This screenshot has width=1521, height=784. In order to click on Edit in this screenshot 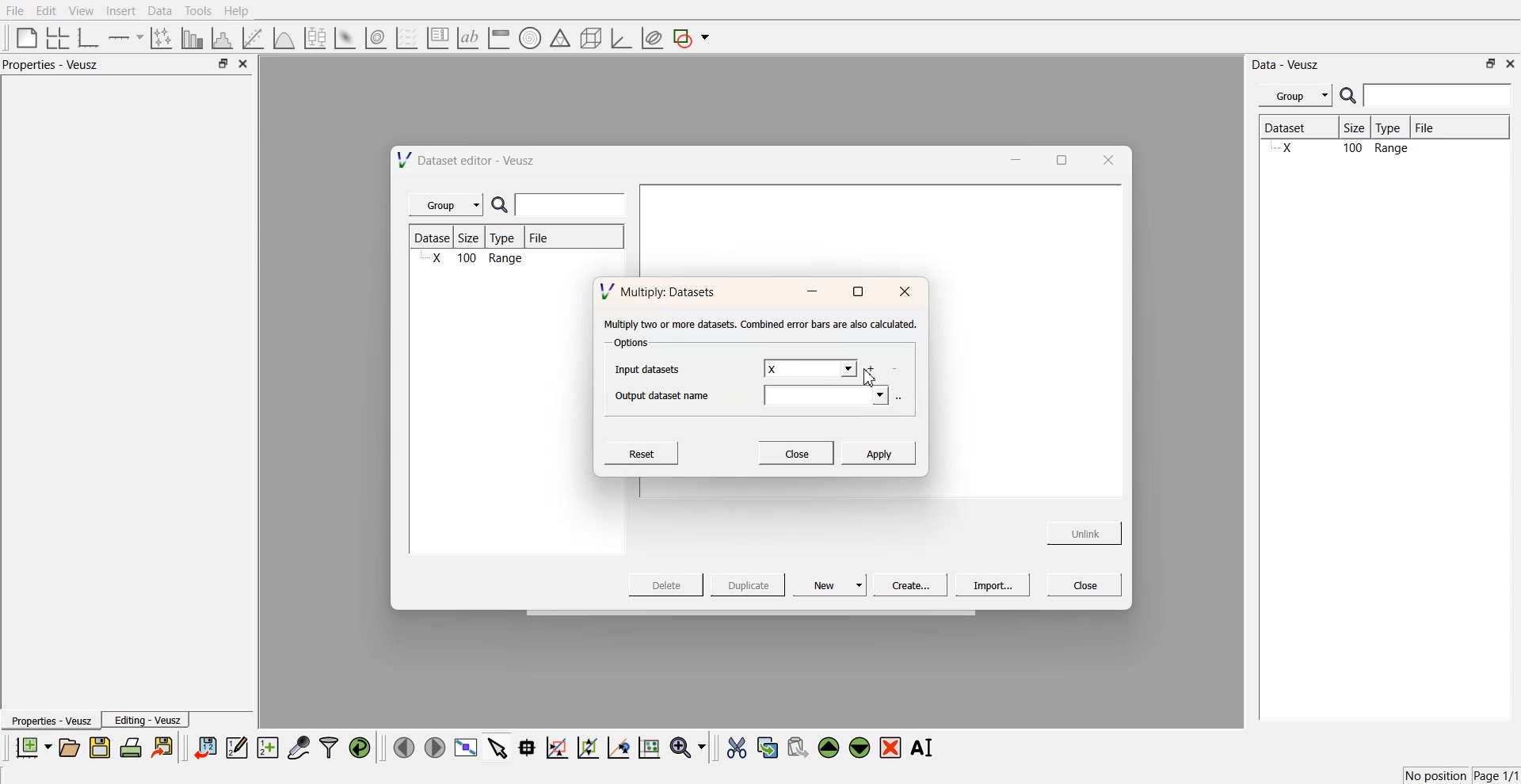, I will do `click(47, 10)`.